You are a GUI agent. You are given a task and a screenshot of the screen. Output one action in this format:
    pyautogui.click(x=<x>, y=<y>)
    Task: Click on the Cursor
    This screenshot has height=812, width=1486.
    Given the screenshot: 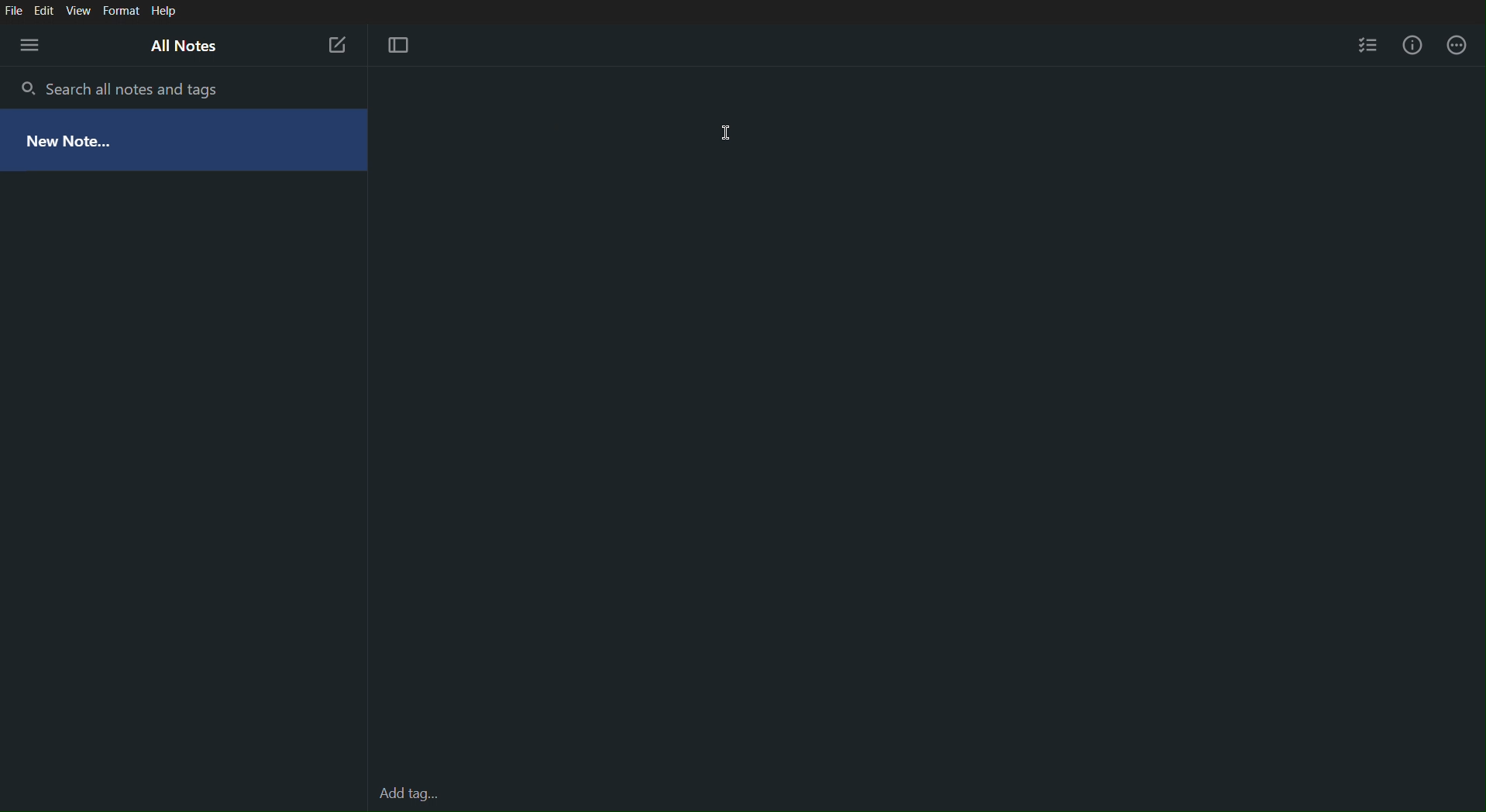 What is the action you would take?
    pyautogui.click(x=728, y=132)
    